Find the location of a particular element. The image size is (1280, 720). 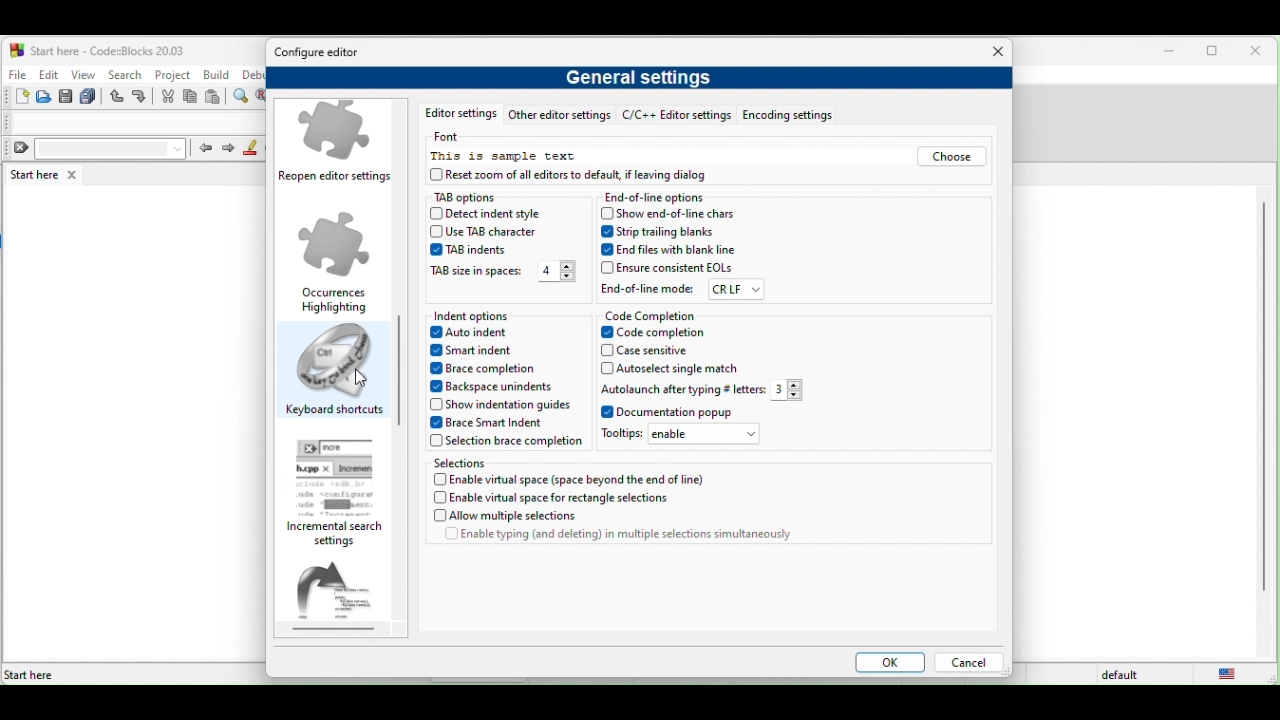

enable virtual space for rectangle selection is located at coordinates (565, 499).